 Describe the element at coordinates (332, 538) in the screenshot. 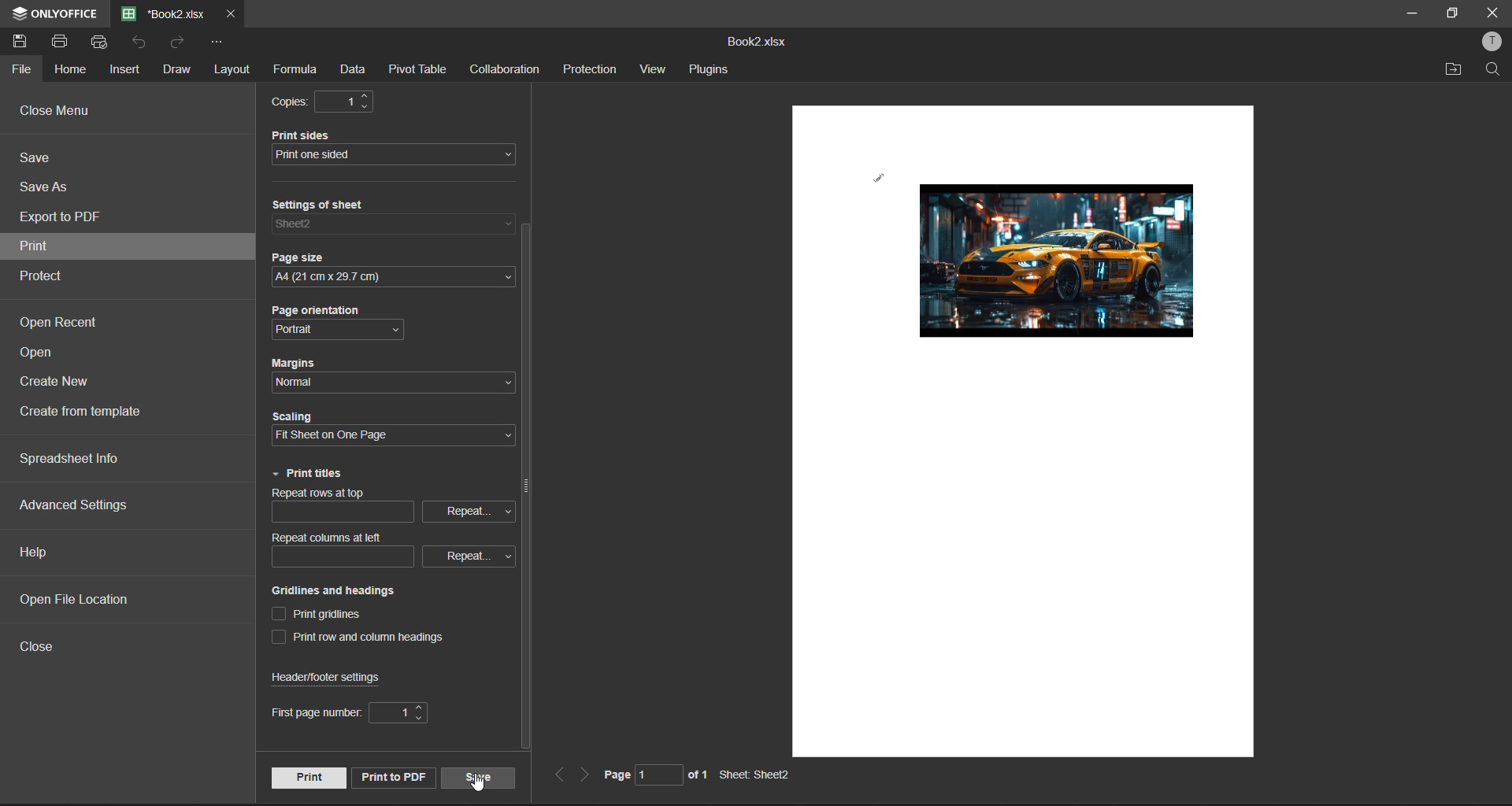

I see `repeat columns at left` at that location.